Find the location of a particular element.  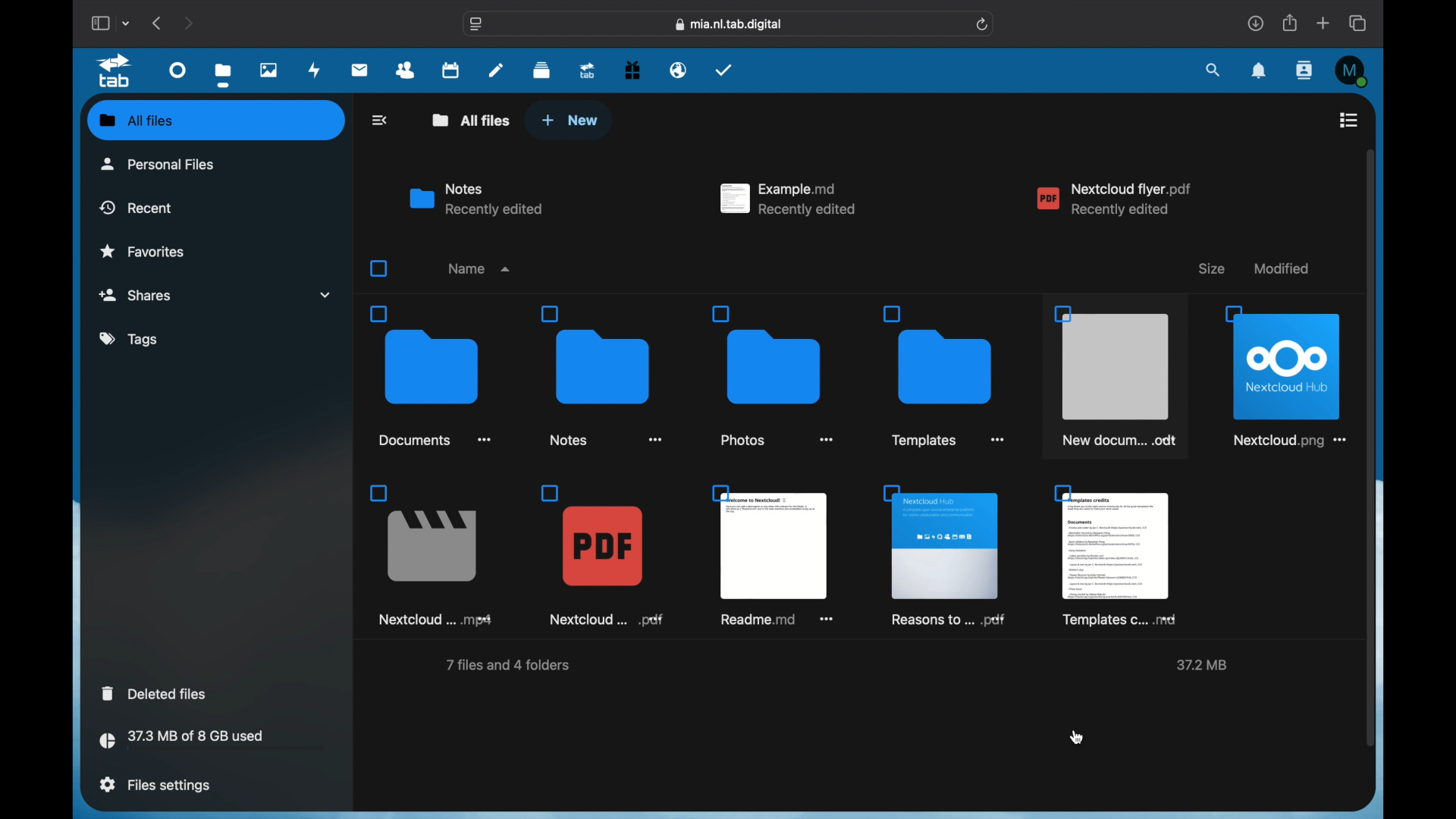

web address is located at coordinates (730, 25).